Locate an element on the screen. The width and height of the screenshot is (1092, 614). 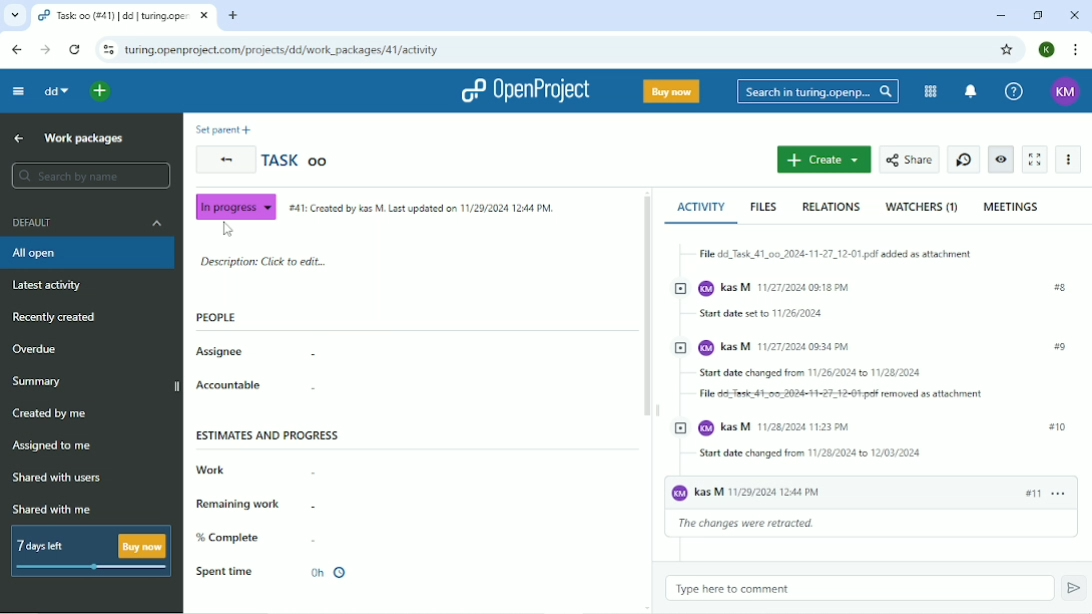
History of changes made is located at coordinates (872, 389).